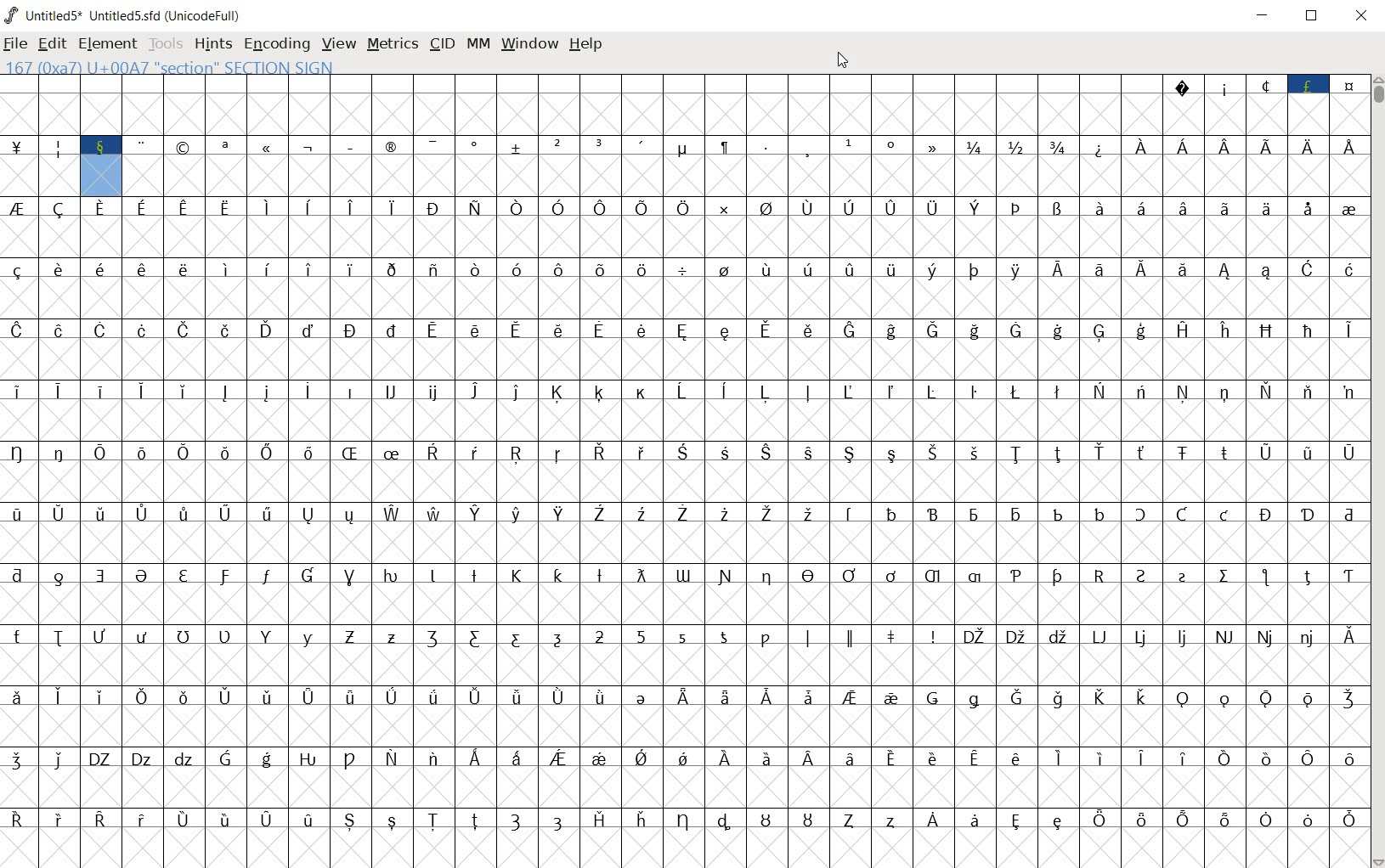  What do you see at coordinates (686, 288) in the screenshot?
I see `division` at bounding box center [686, 288].